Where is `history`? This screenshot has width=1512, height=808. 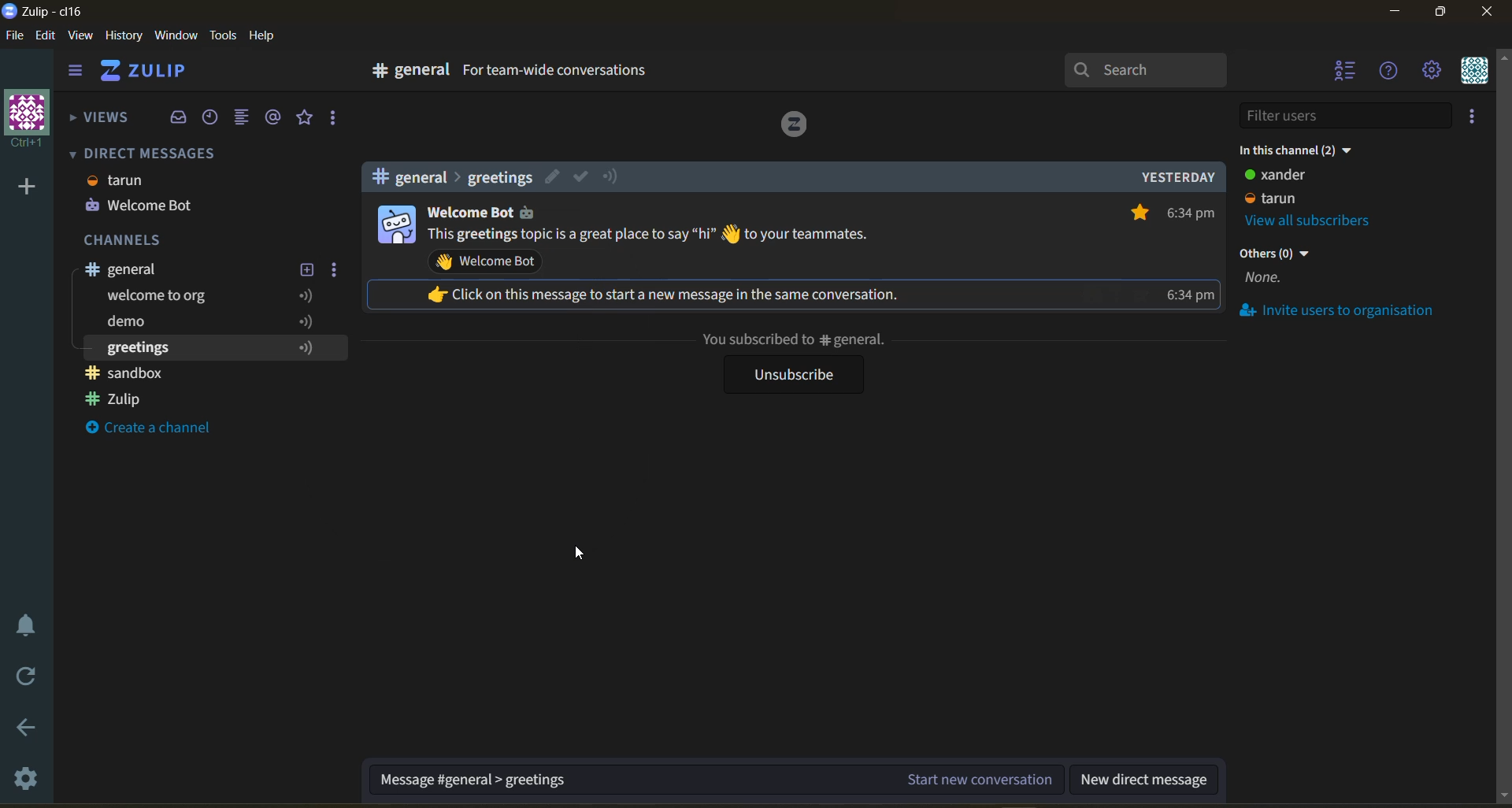
history is located at coordinates (125, 38).